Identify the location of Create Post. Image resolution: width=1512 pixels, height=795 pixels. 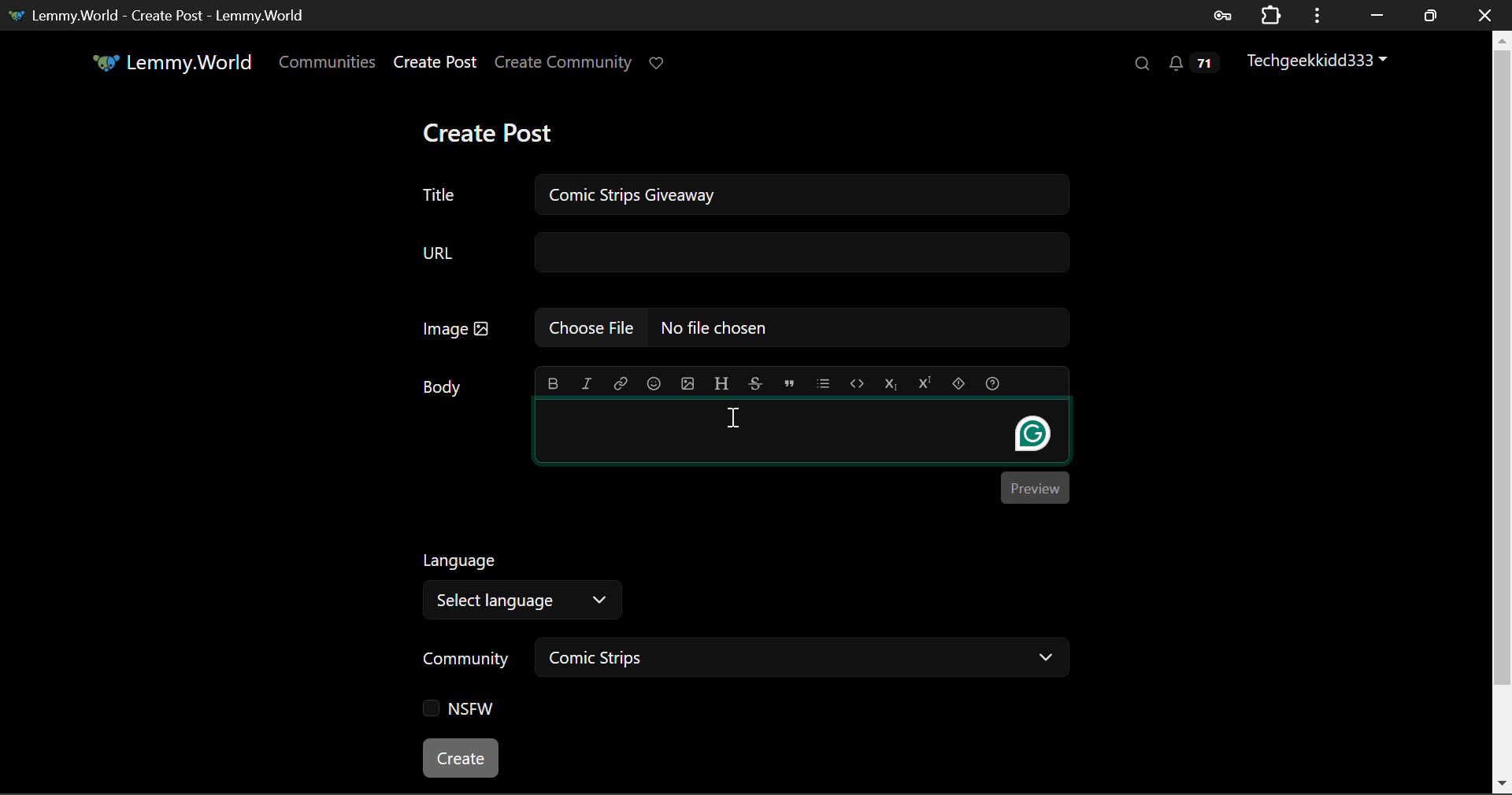
(434, 63).